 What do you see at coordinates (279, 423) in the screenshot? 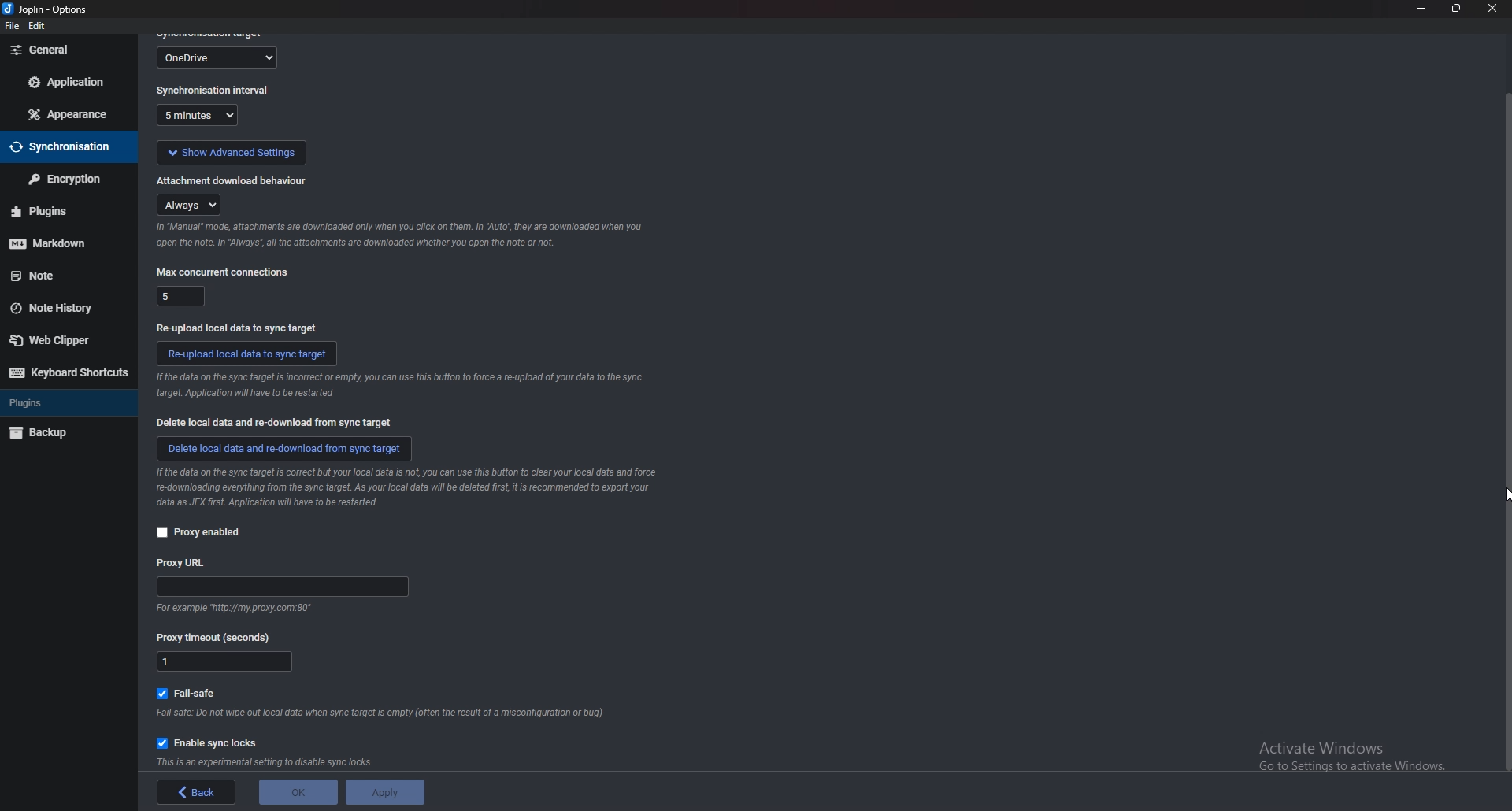
I see `delete local data` at bounding box center [279, 423].